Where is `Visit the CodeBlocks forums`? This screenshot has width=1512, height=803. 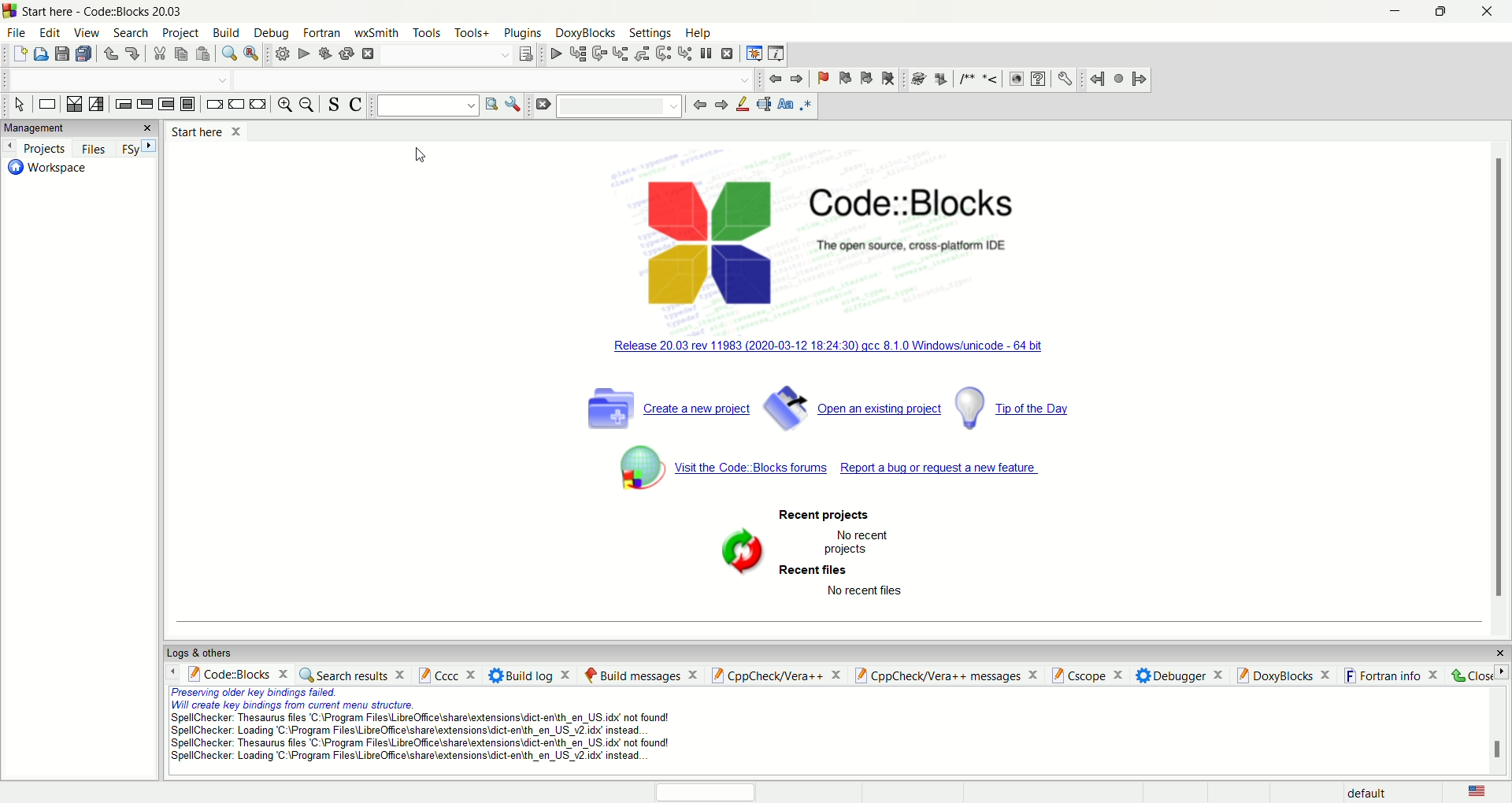 Visit the CodeBlocks forums is located at coordinates (755, 469).